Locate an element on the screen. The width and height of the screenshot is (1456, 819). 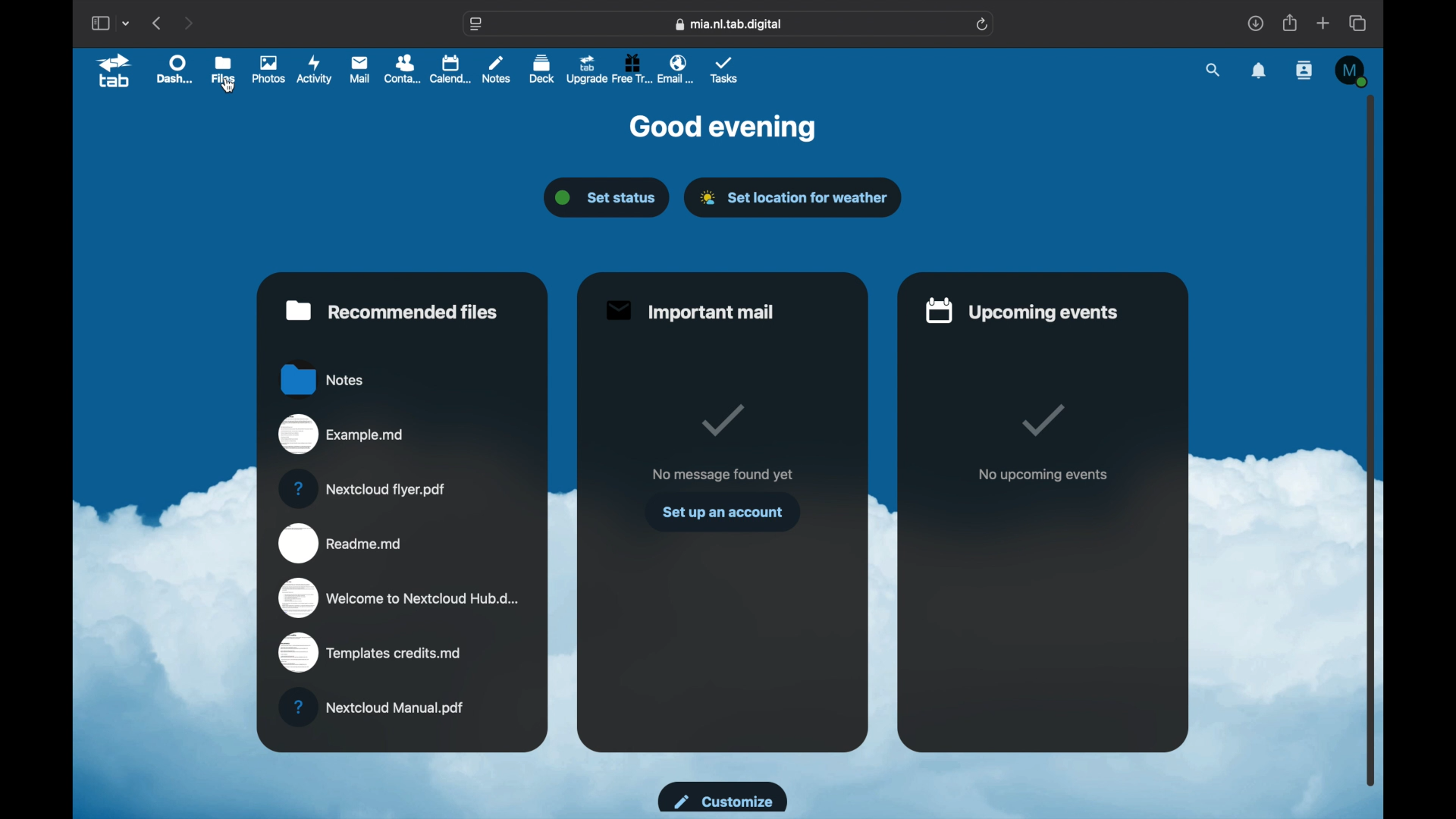
tick mark is located at coordinates (1042, 419).